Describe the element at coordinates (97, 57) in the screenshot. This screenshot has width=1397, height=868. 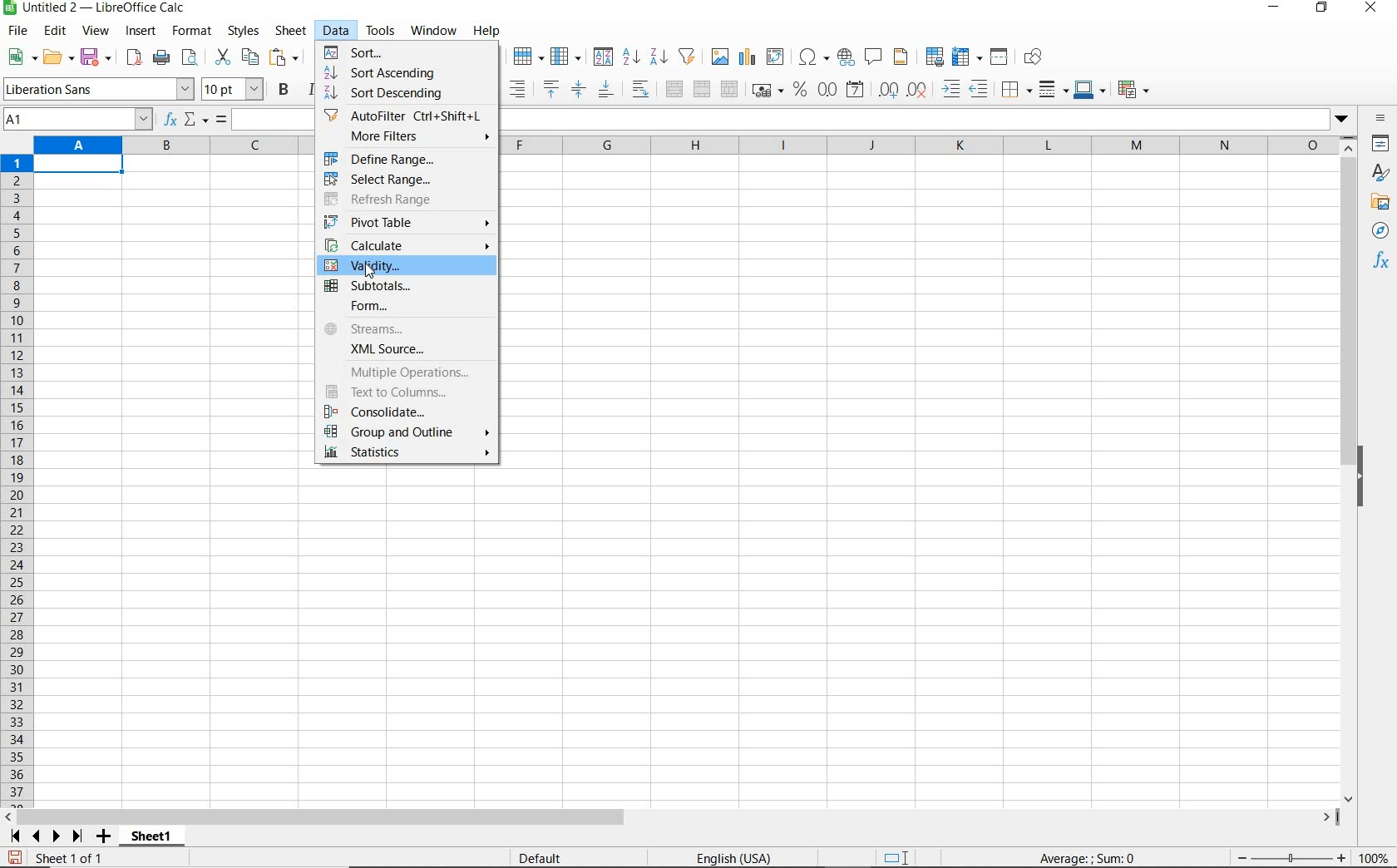
I see `save` at that location.